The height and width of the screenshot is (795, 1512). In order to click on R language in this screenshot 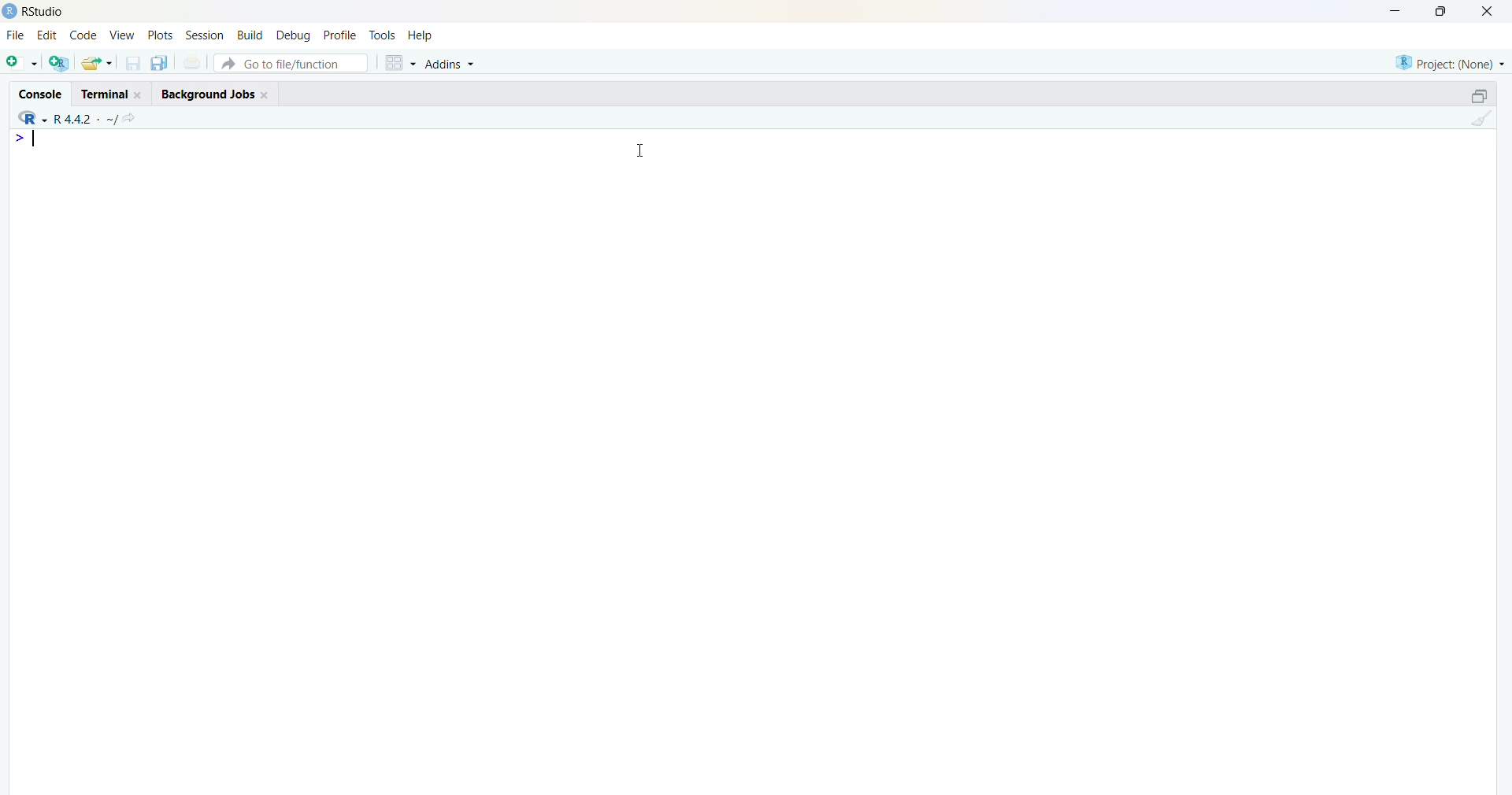, I will do `click(29, 118)`.